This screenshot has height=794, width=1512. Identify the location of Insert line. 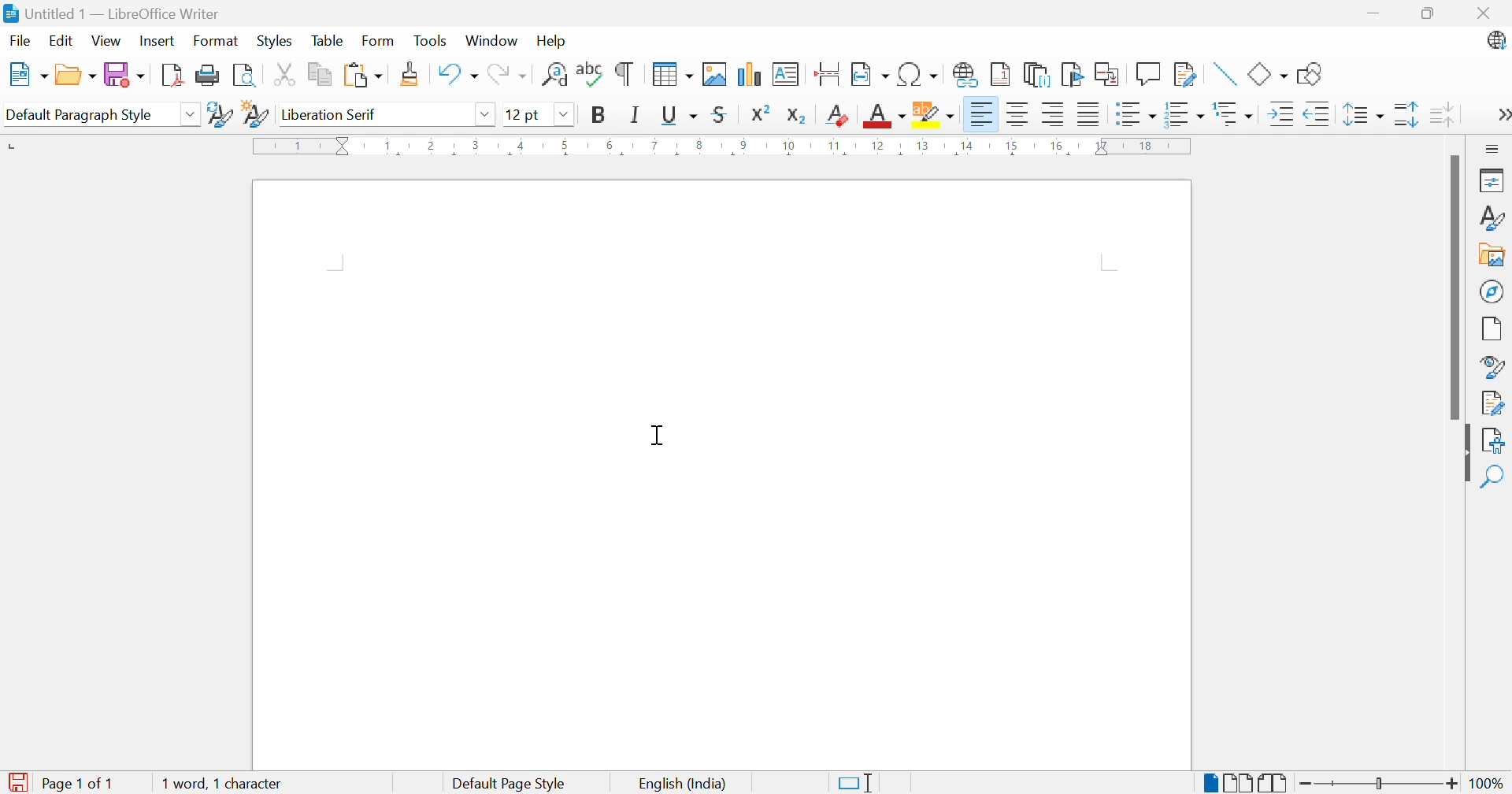
(1227, 74).